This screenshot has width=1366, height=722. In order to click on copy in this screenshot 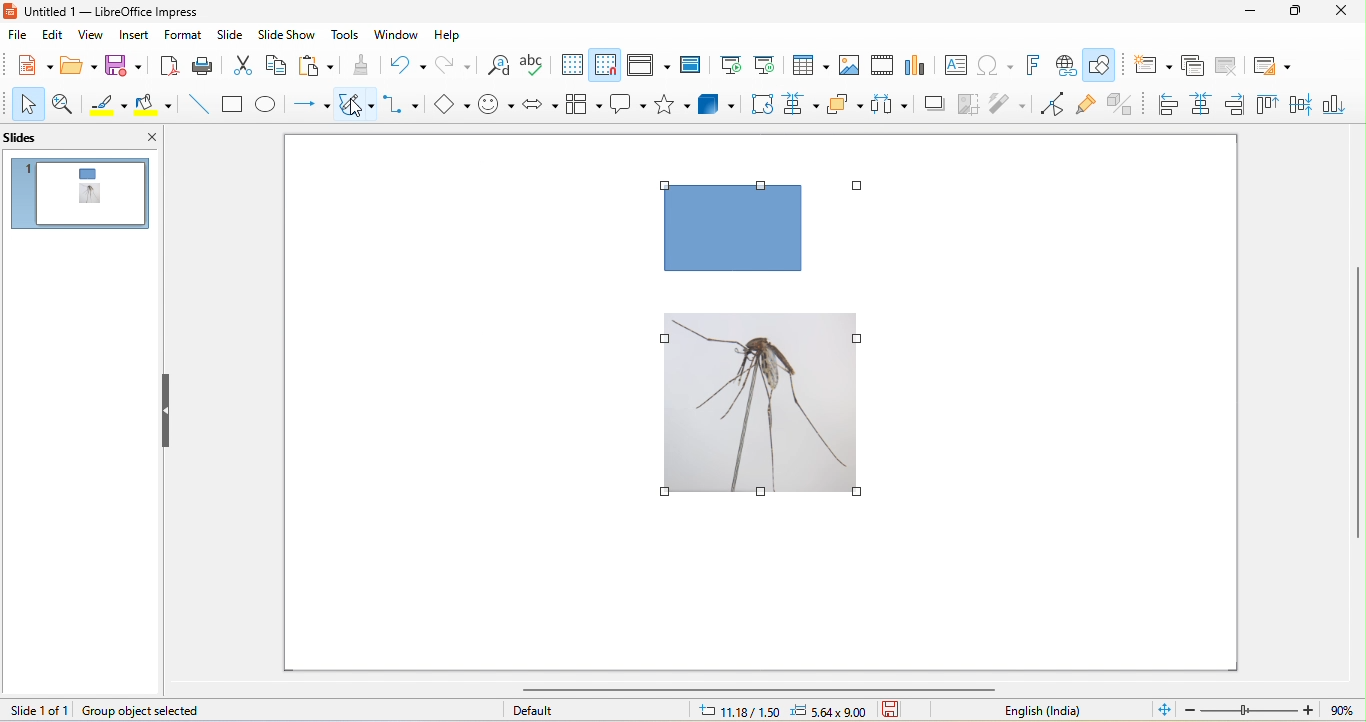, I will do `click(277, 66)`.